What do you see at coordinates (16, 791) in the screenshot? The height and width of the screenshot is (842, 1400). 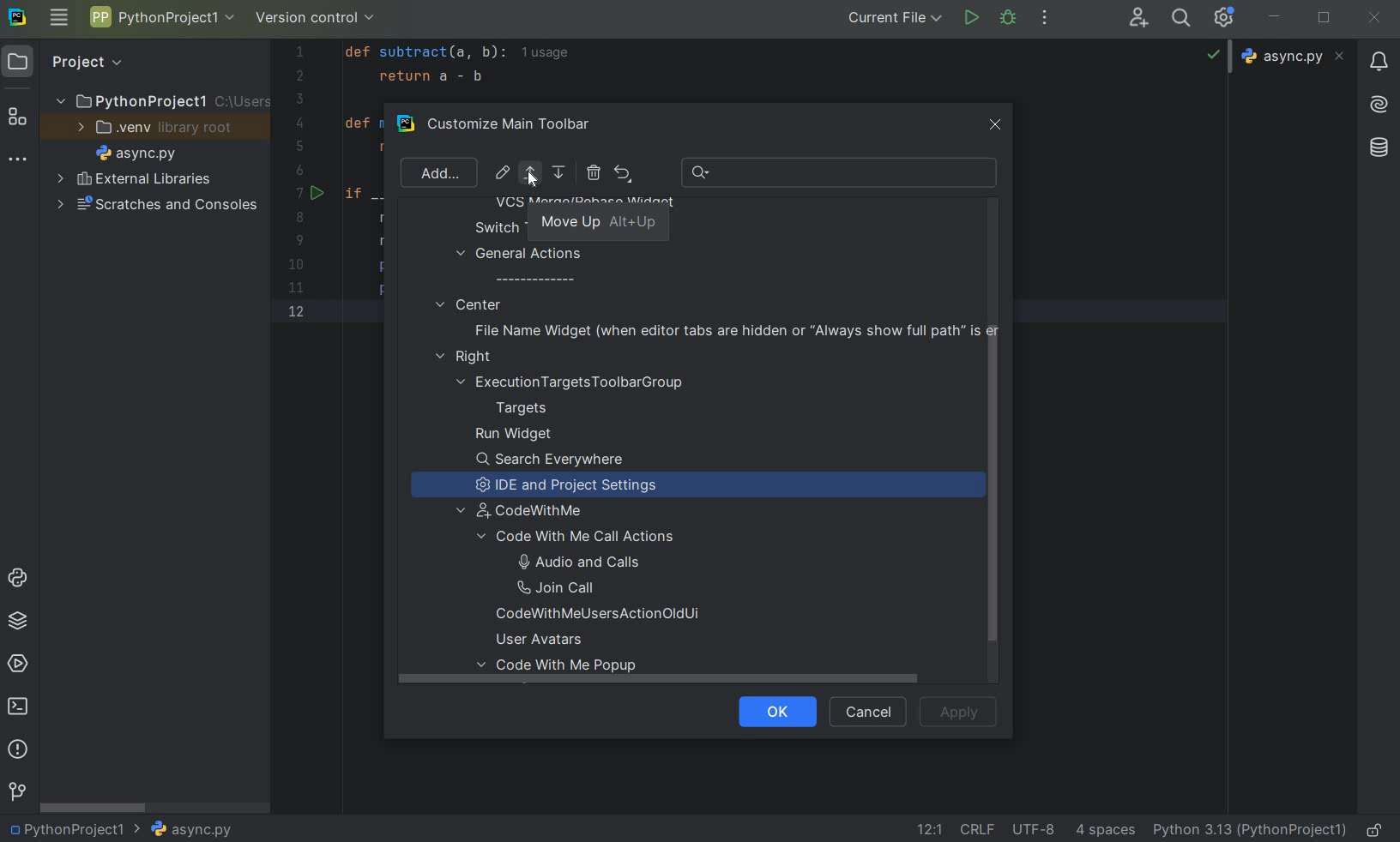 I see `VERSION CONTROL` at bounding box center [16, 791].